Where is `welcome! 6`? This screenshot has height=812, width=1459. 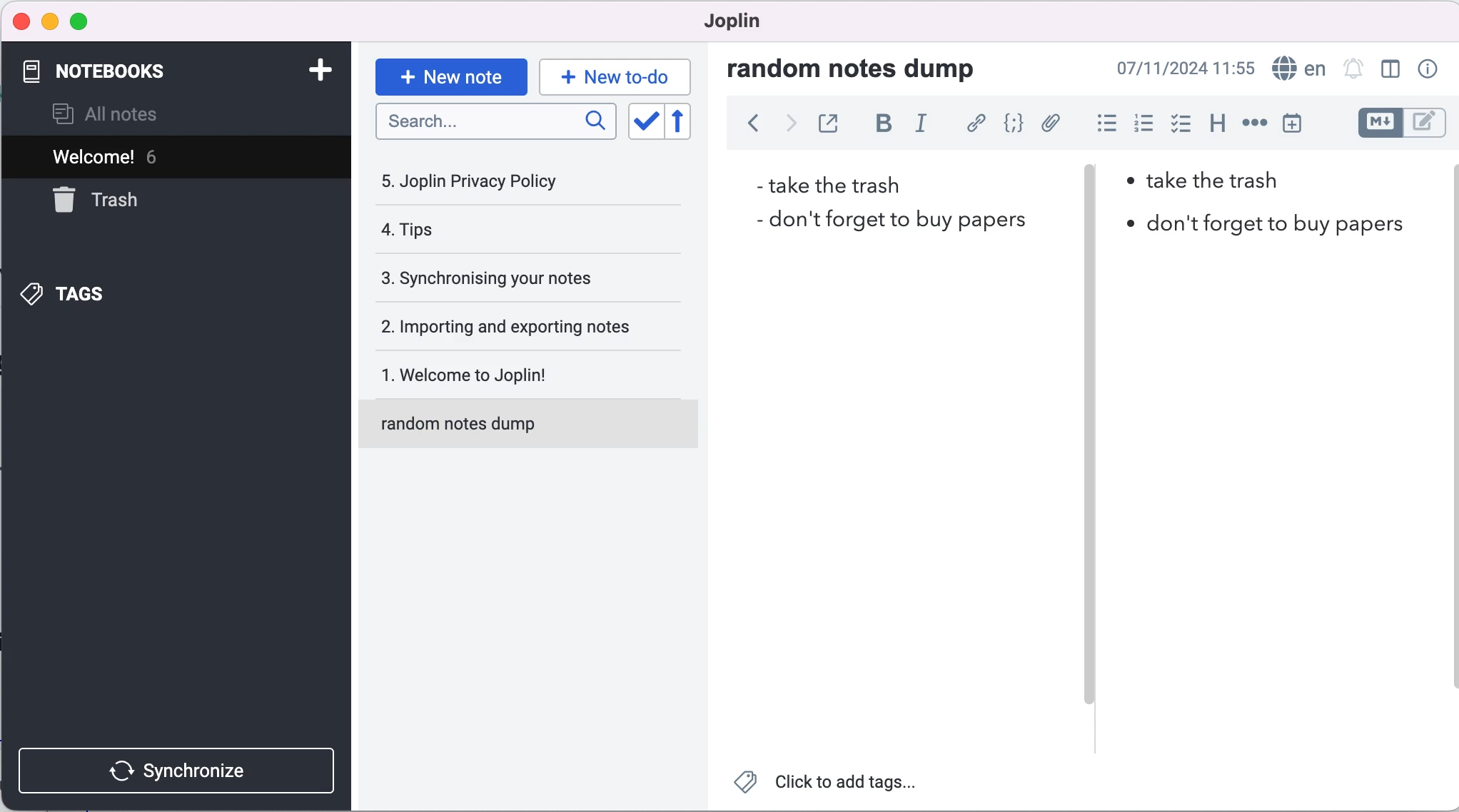
welcome! 6 is located at coordinates (138, 156).